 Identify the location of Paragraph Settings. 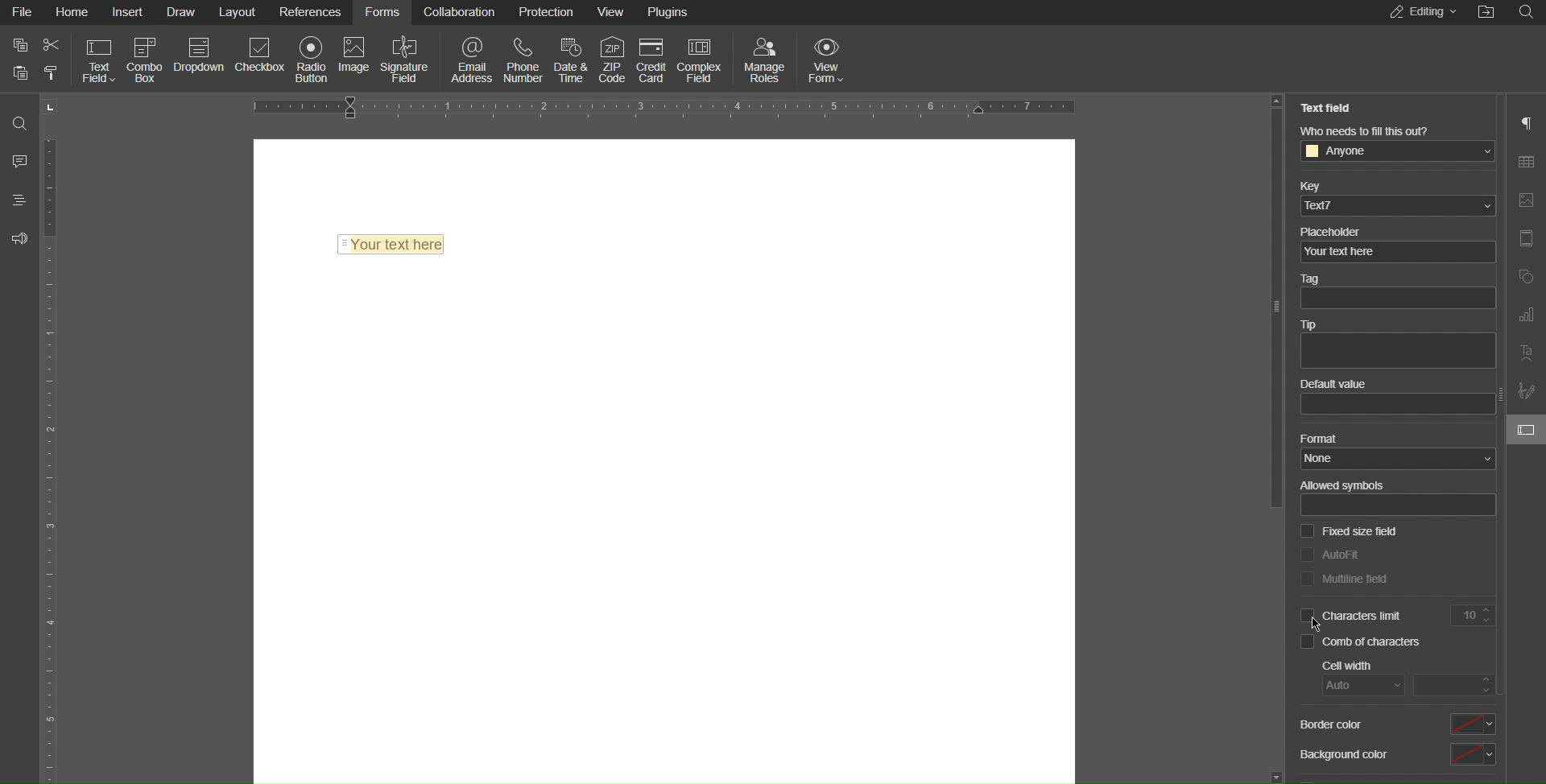
(1527, 122).